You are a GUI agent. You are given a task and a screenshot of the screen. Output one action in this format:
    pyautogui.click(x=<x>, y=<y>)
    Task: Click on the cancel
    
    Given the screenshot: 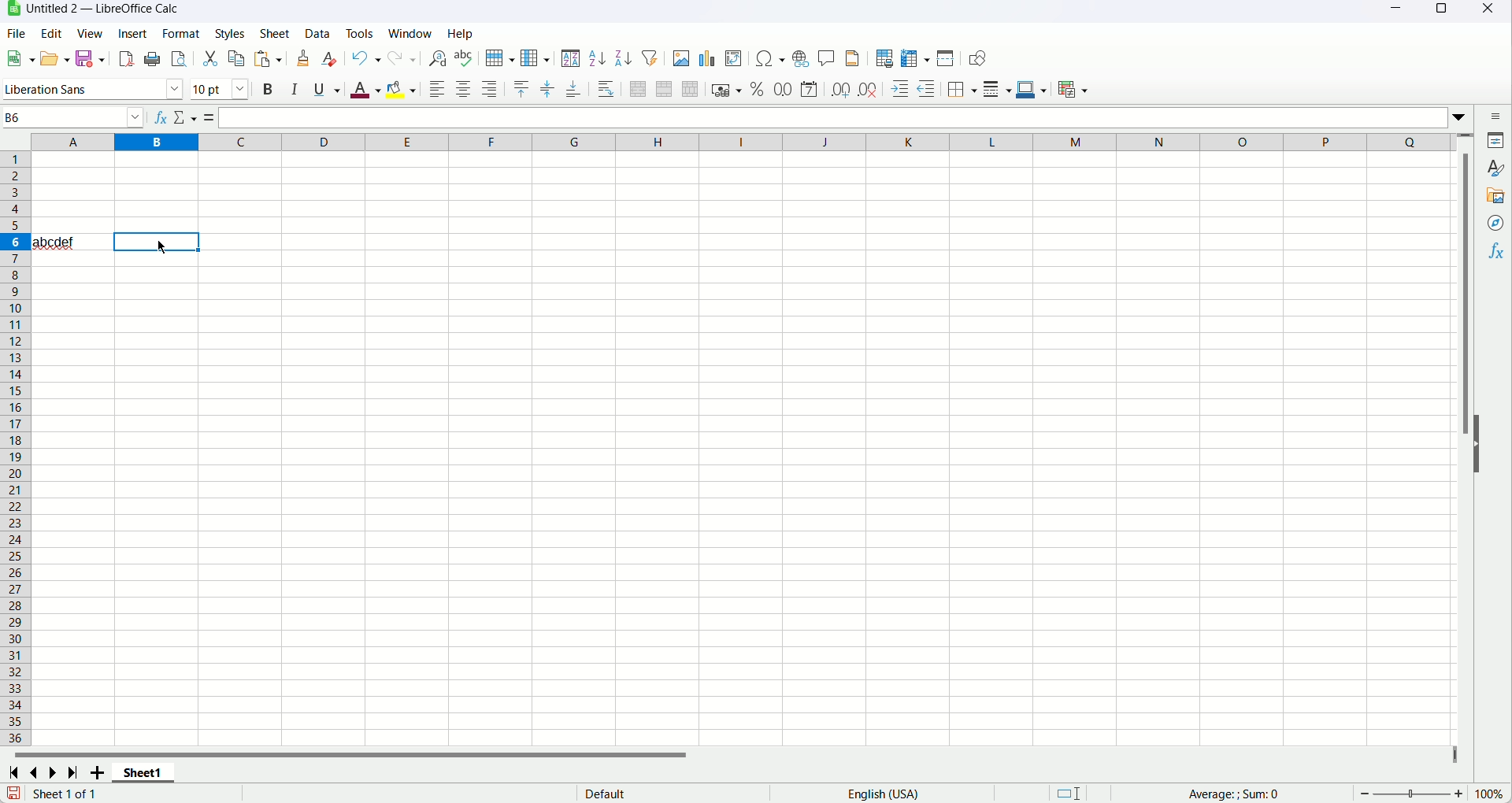 What is the action you would take?
    pyautogui.click(x=183, y=117)
    